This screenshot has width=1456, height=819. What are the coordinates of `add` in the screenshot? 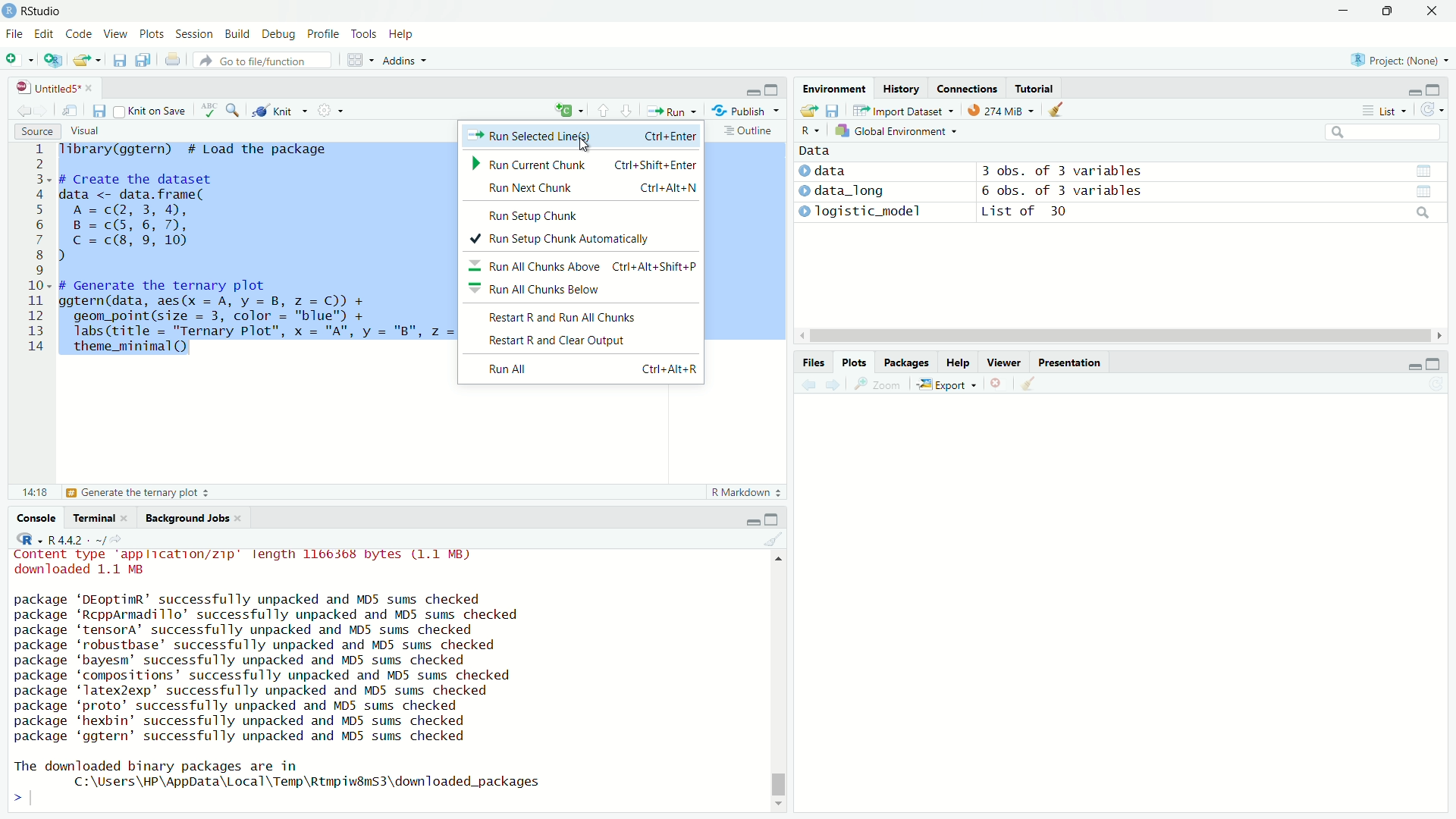 It's located at (561, 111).